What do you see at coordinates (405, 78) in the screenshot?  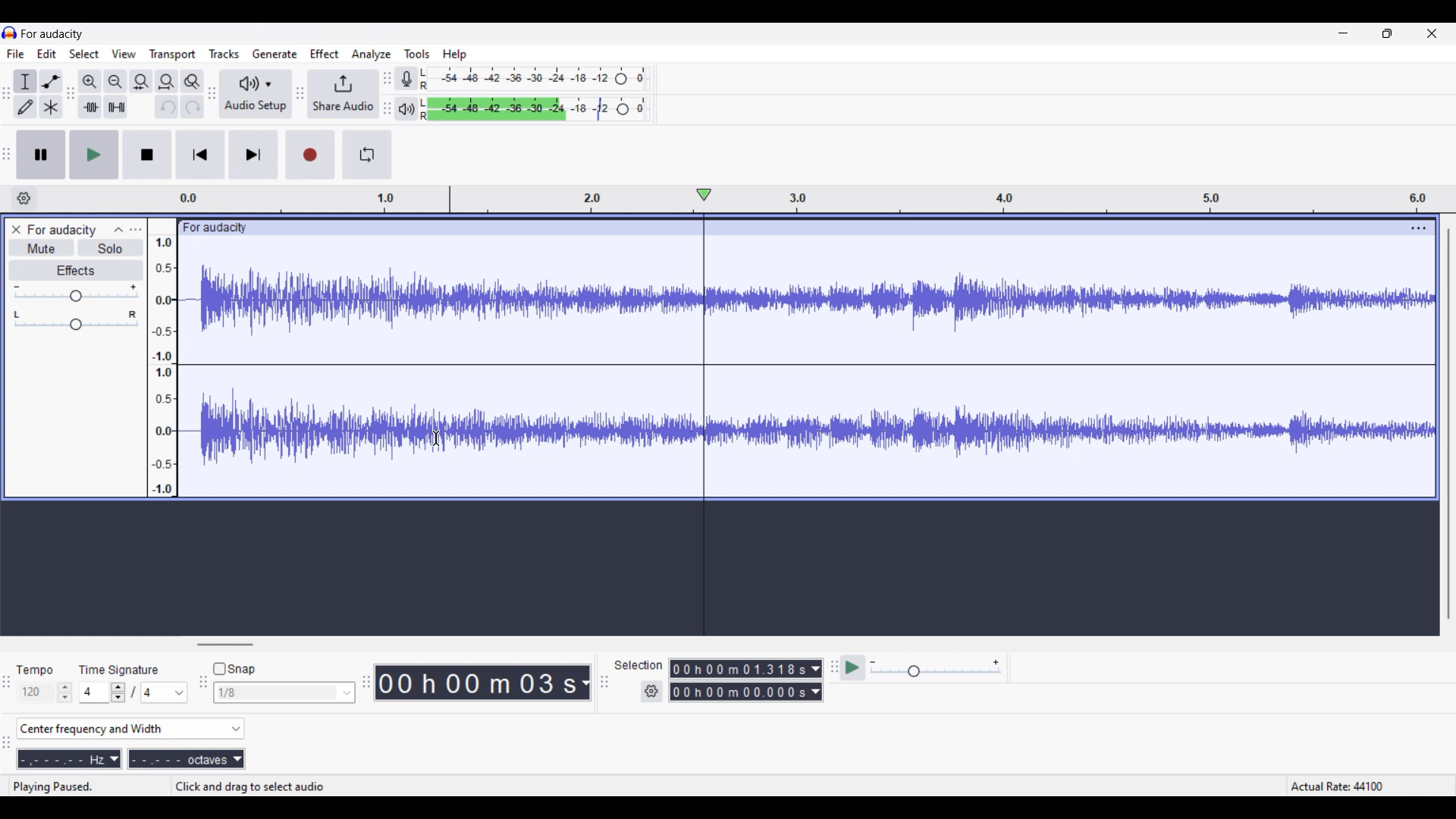 I see `Record meter` at bounding box center [405, 78].